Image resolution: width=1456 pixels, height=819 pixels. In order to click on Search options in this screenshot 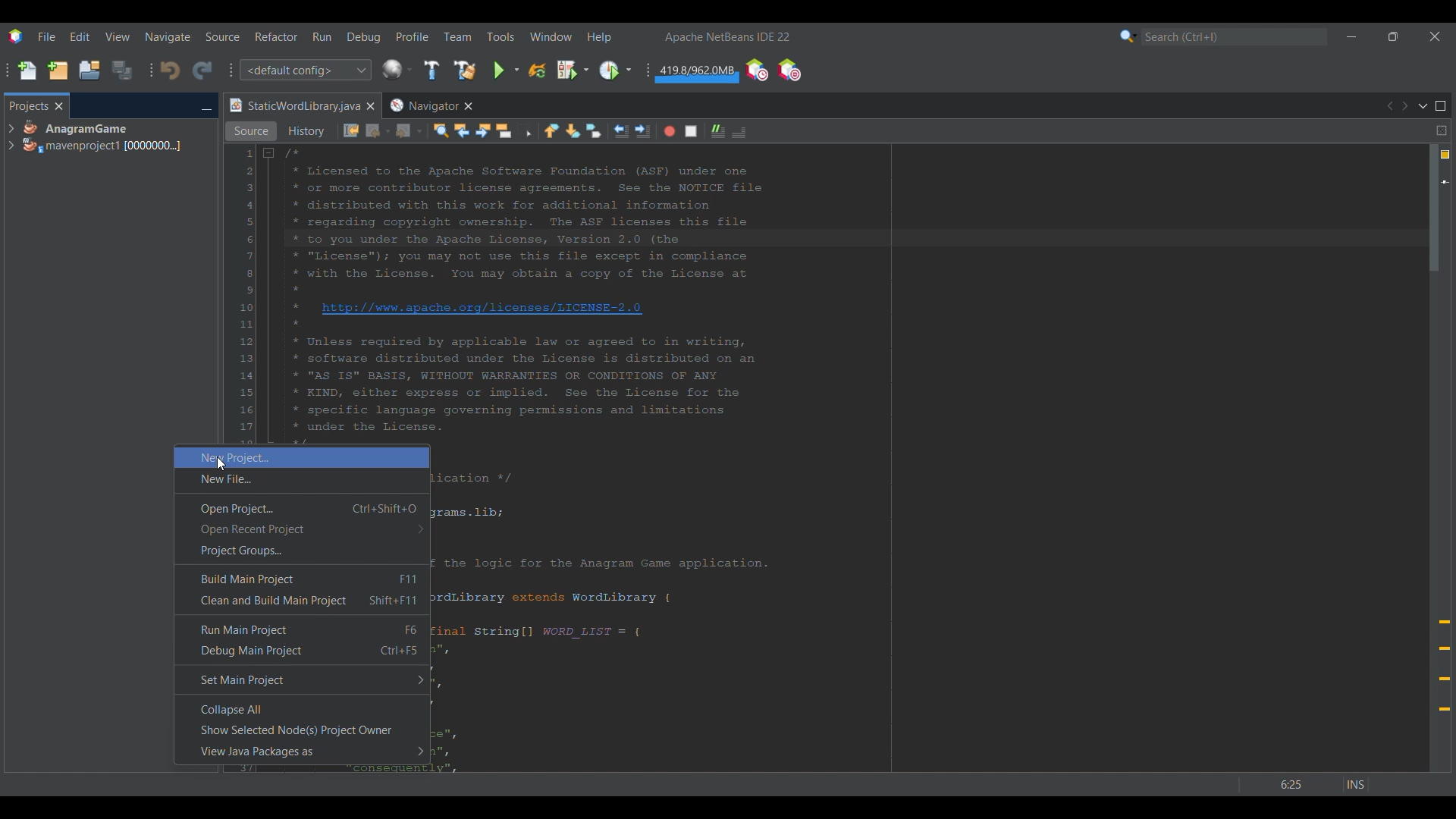, I will do `click(1128, 36)`.